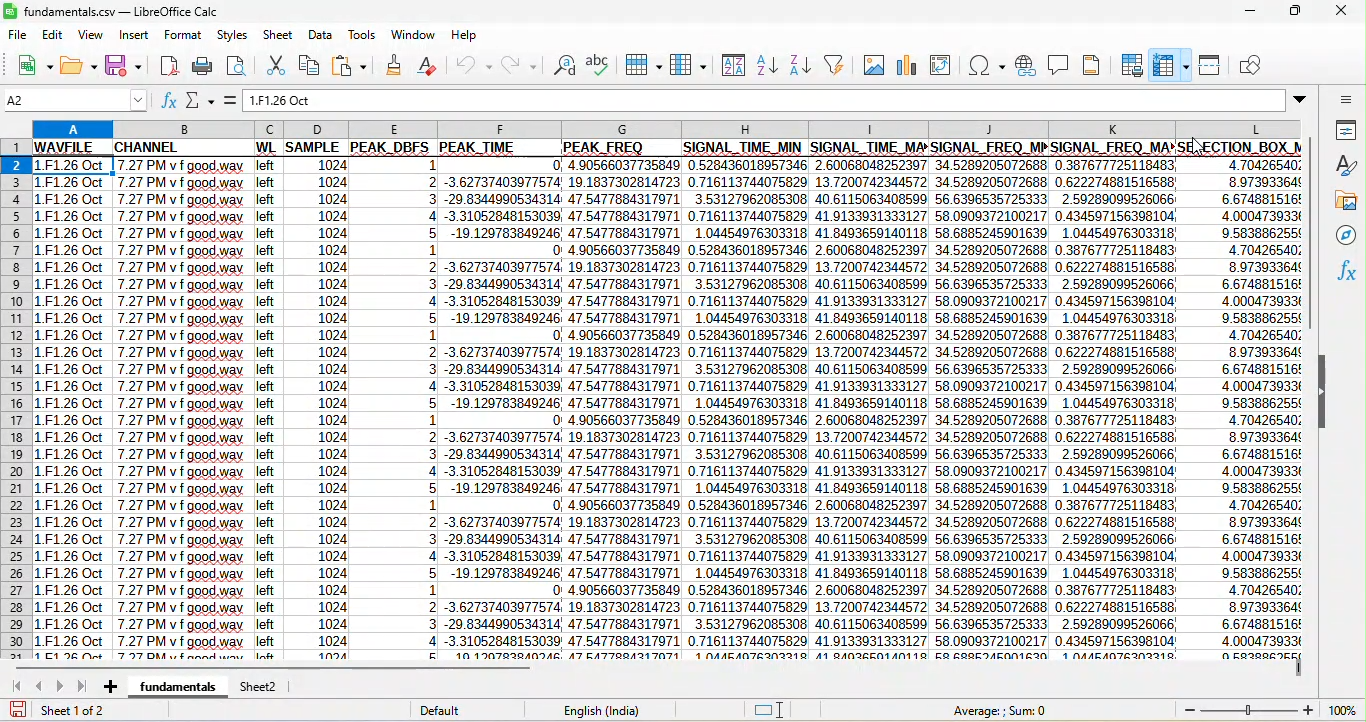 The image size is (1366, 722). Describe the element at coordinates (168, 66) in the screenshot. I see `export directly as pdf` at that location.